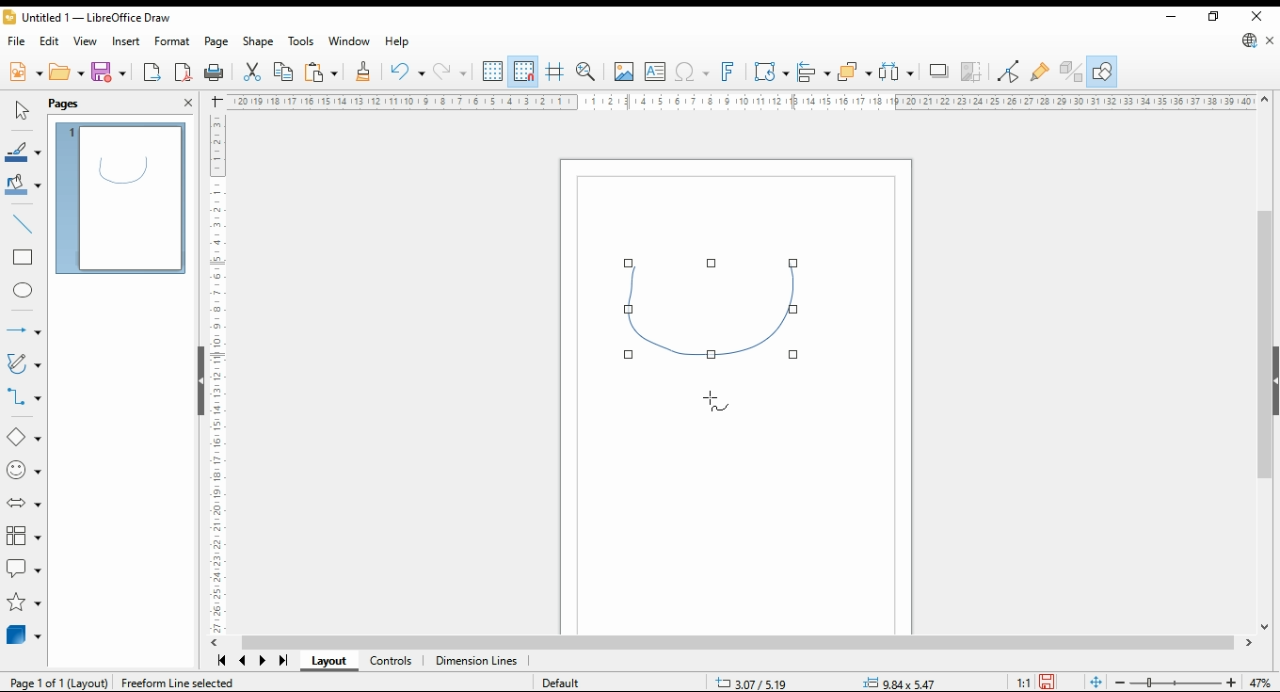 The height and width of the screenshot is (692, 1280). What do you see at coordinates (23, 258) in the screenshot?
I see `rectangle` at bounding box center [23, 258].